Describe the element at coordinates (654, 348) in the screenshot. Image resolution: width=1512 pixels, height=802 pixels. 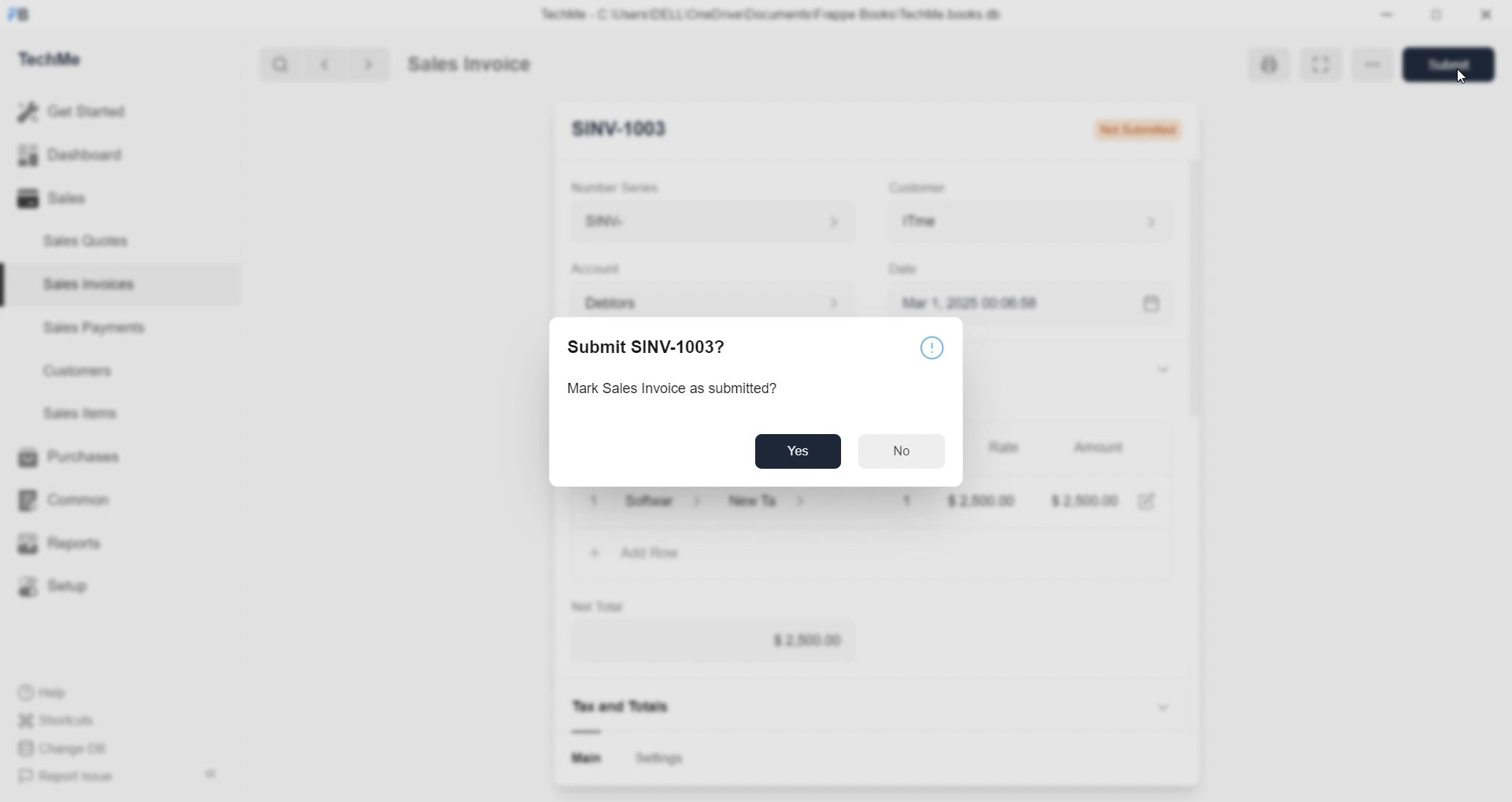
I see `Submit SINV-1003?` at that location.